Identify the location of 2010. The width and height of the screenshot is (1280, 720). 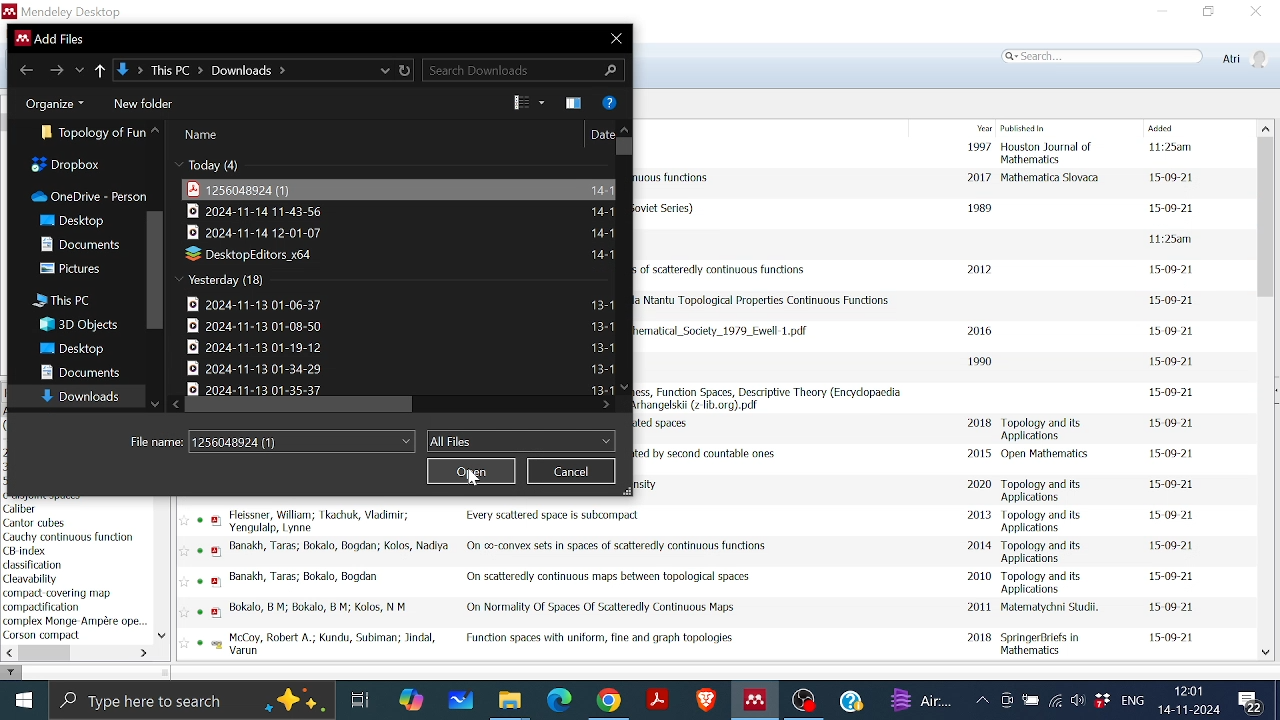
(980, 577).